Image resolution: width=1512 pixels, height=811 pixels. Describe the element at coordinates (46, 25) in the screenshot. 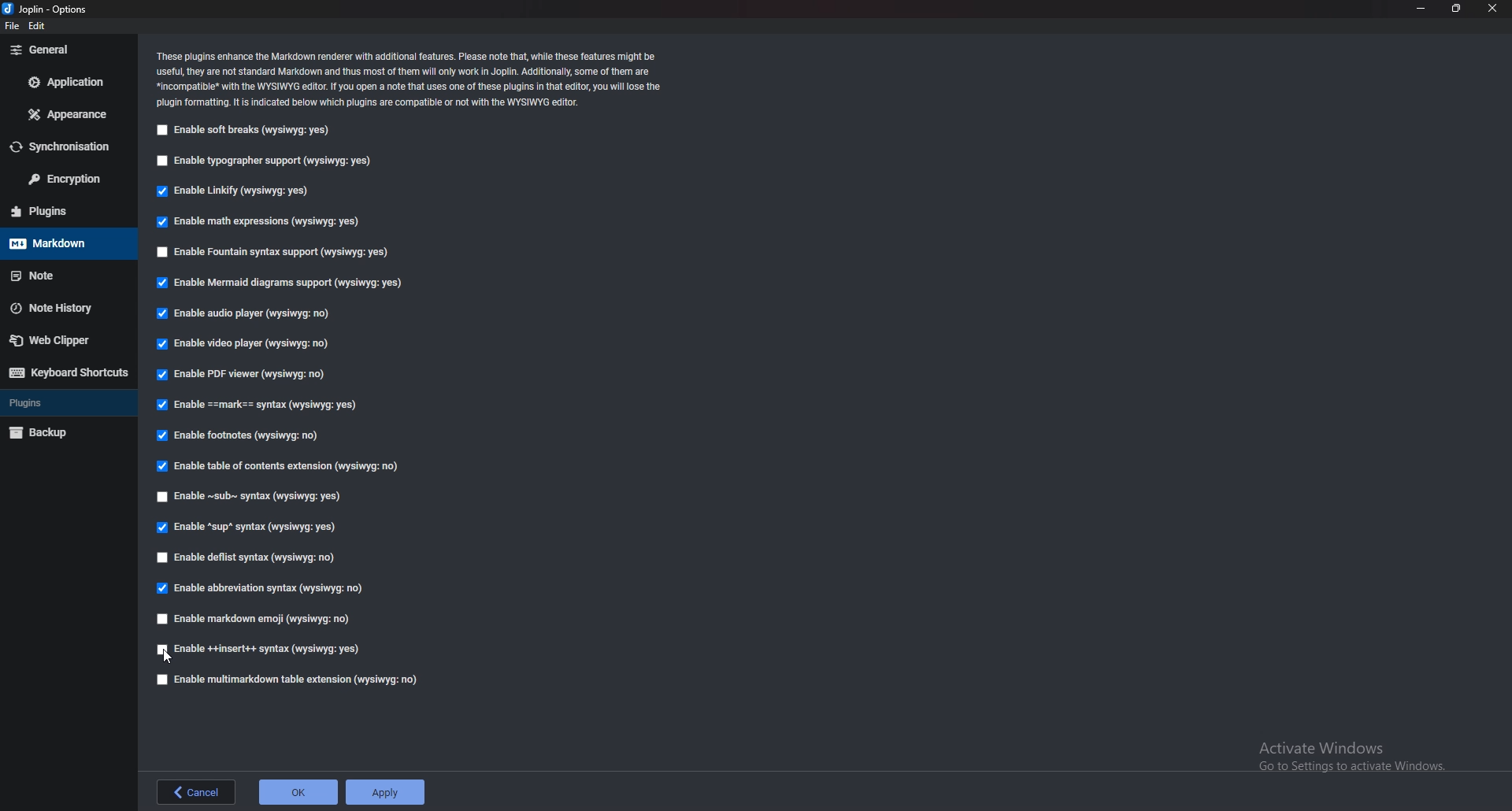

I see `edit` at that location.